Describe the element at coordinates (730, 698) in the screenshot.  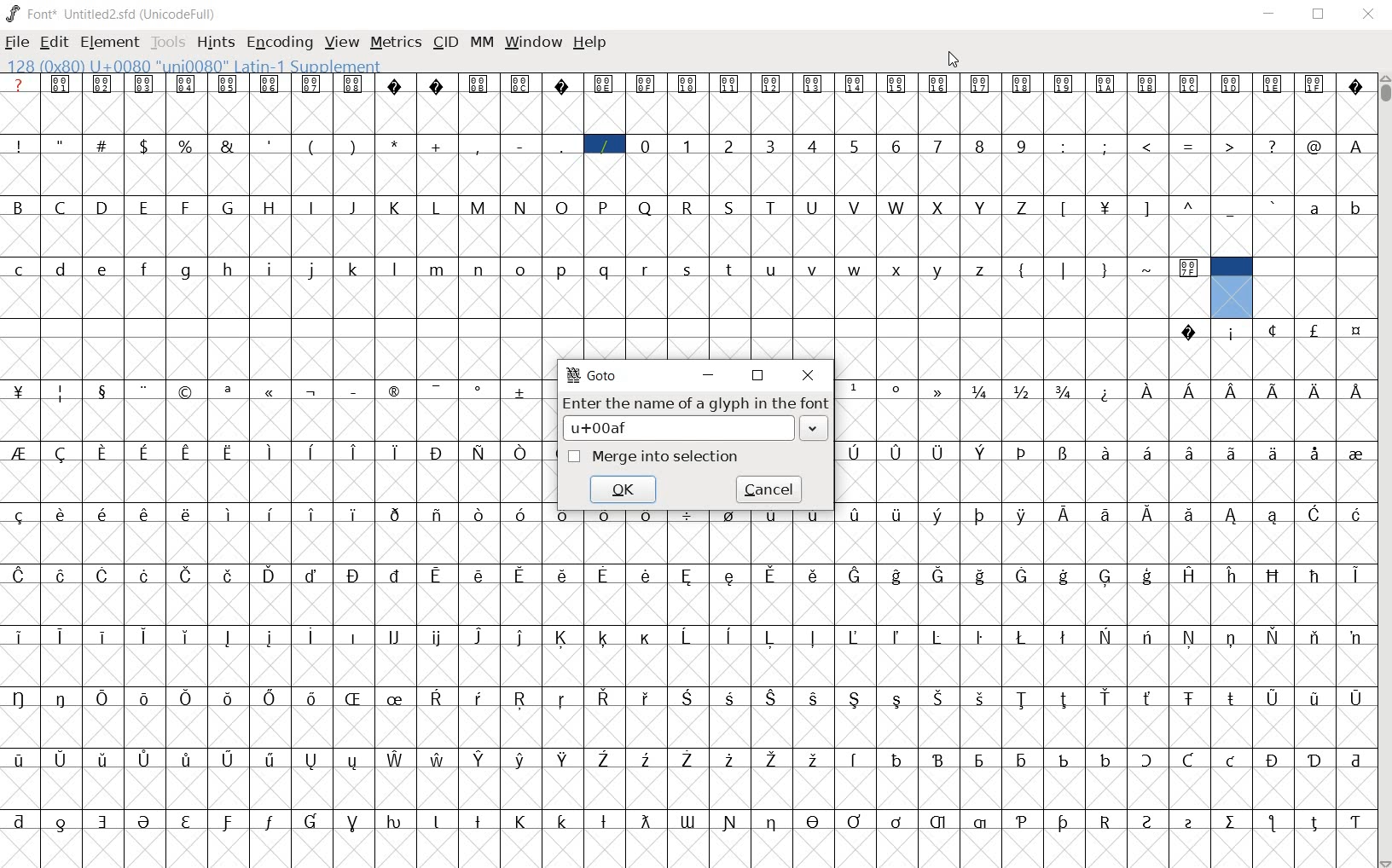
I see `Symbol` at that location.